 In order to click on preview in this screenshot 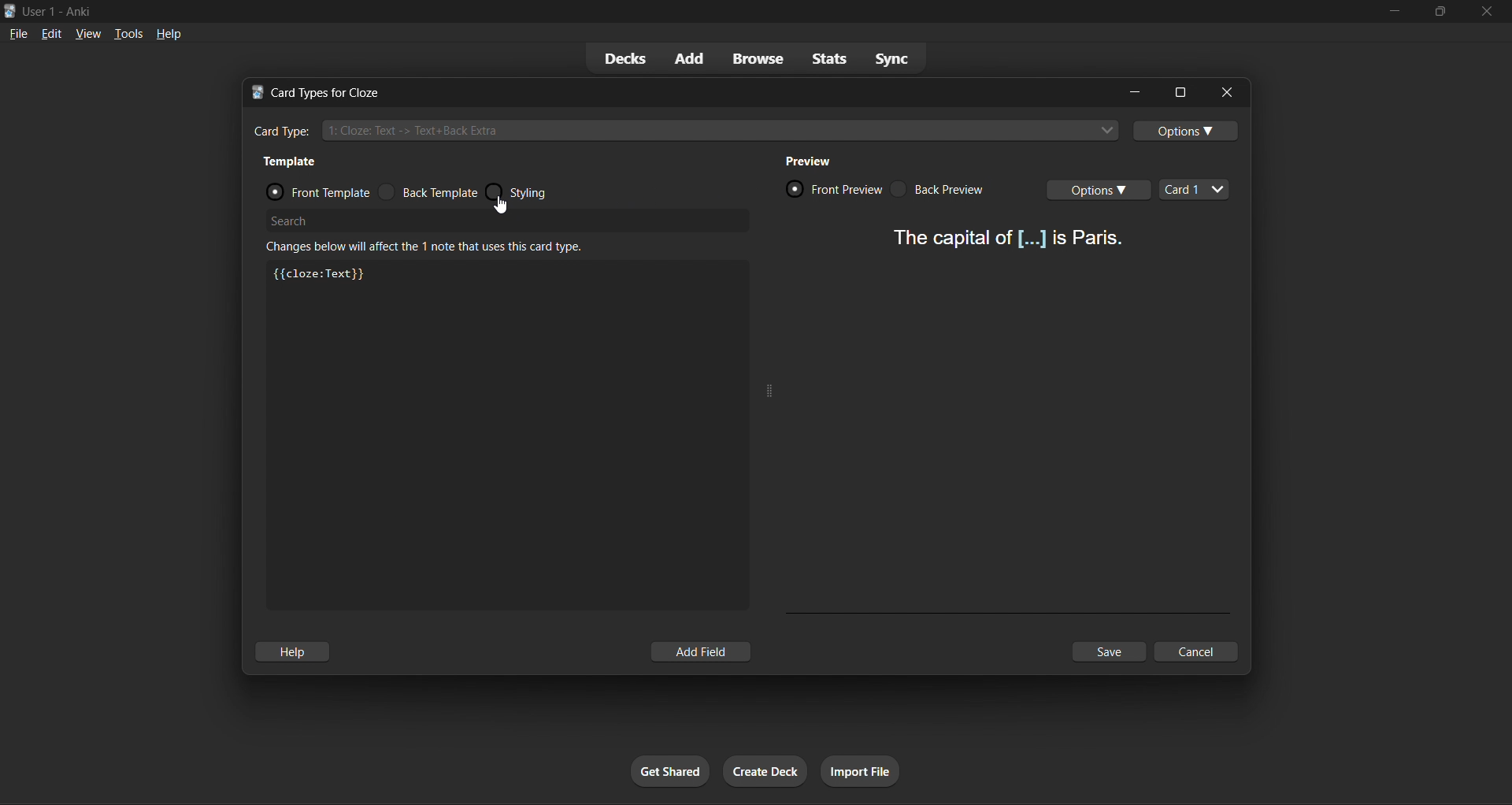, I will do `click(813, 165)`.